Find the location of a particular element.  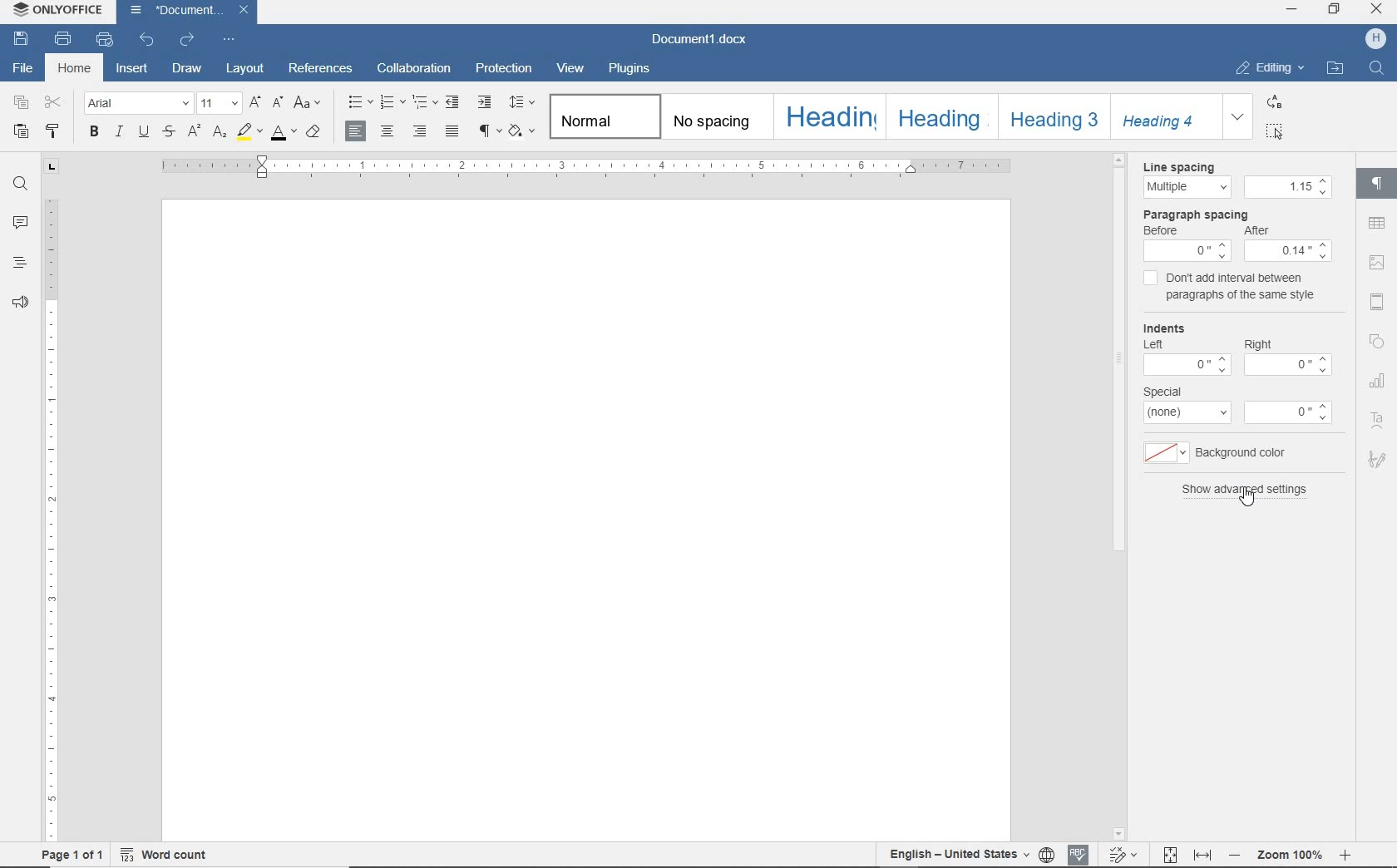

image is located at coordinates (1375, 263).